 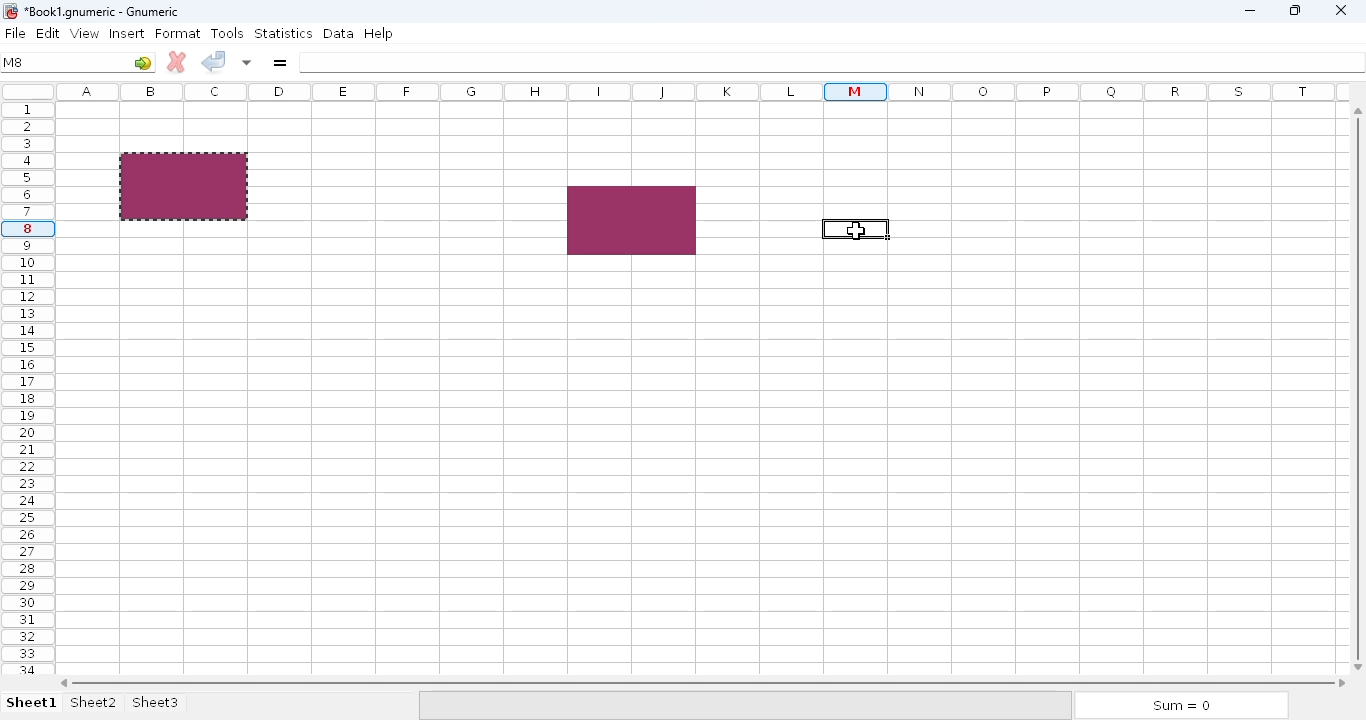 I want to click on insert, so click(x=126, y=33).